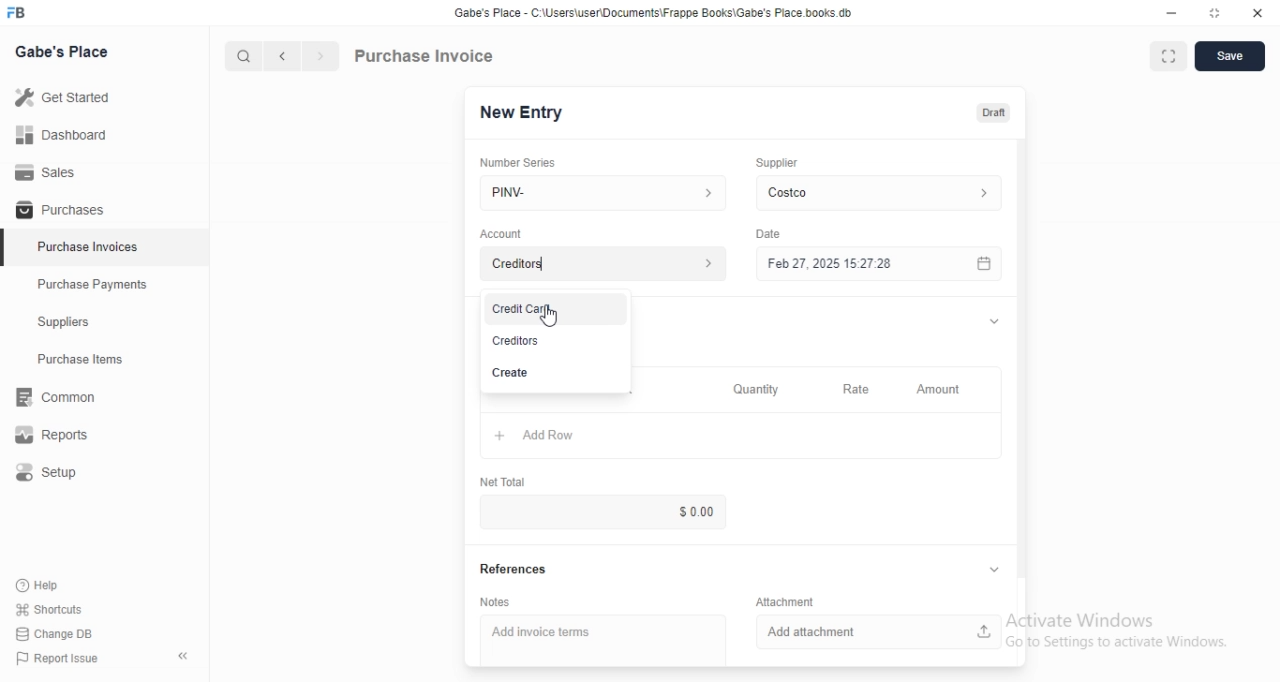  What do you see at coordinates (994, 569) in the screenshot?
I see `Collapse` at bounding box center [994, 569].